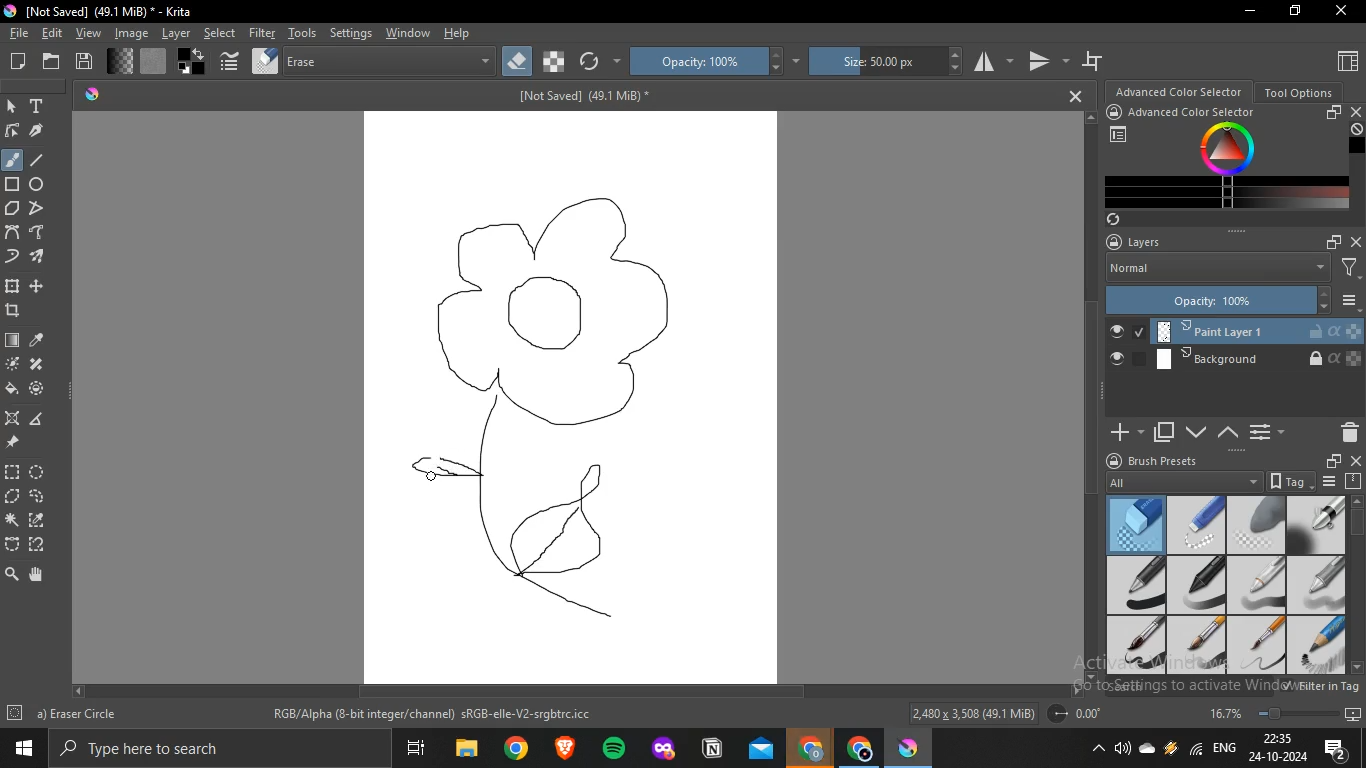 This screenshot has height=768, width=1366. Describe the element at coordinates (1080, 713) in the screenshot. I see `Radius` at that location.